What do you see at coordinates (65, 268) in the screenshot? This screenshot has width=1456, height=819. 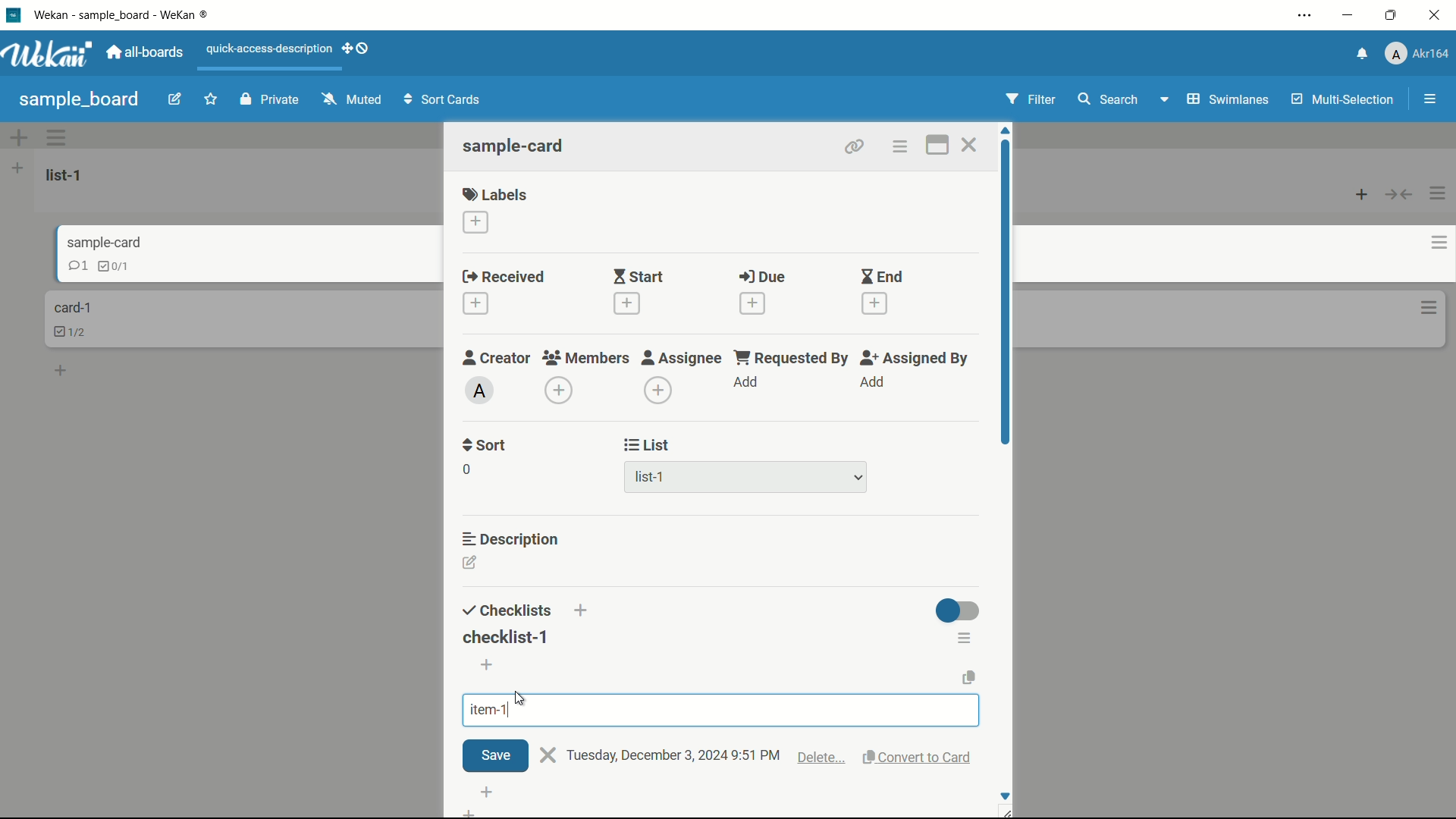 I see `comment` at bounding box center [65, 268].